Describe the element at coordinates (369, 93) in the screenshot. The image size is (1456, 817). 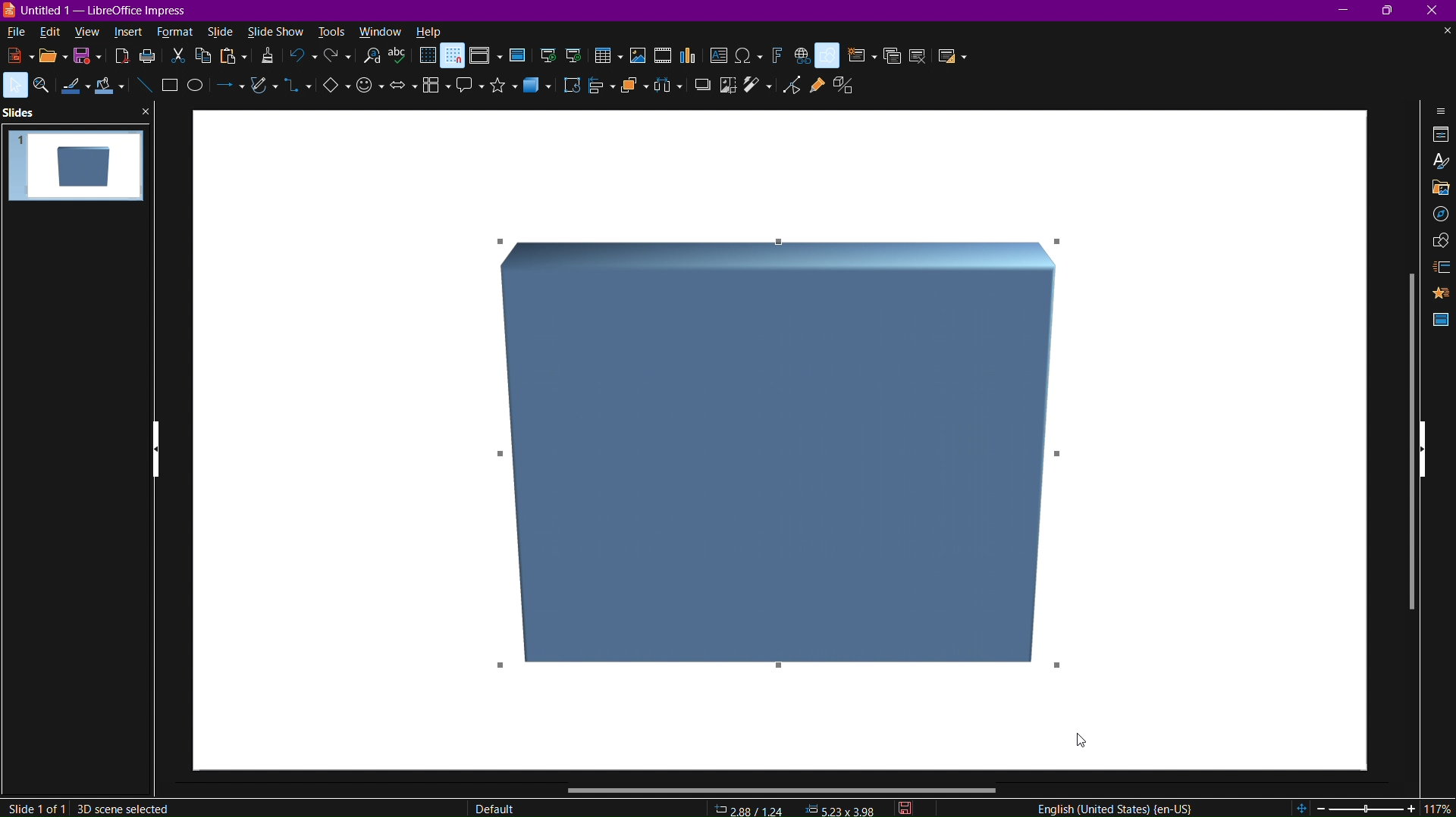
I see `Symbol Shapes` at that location.